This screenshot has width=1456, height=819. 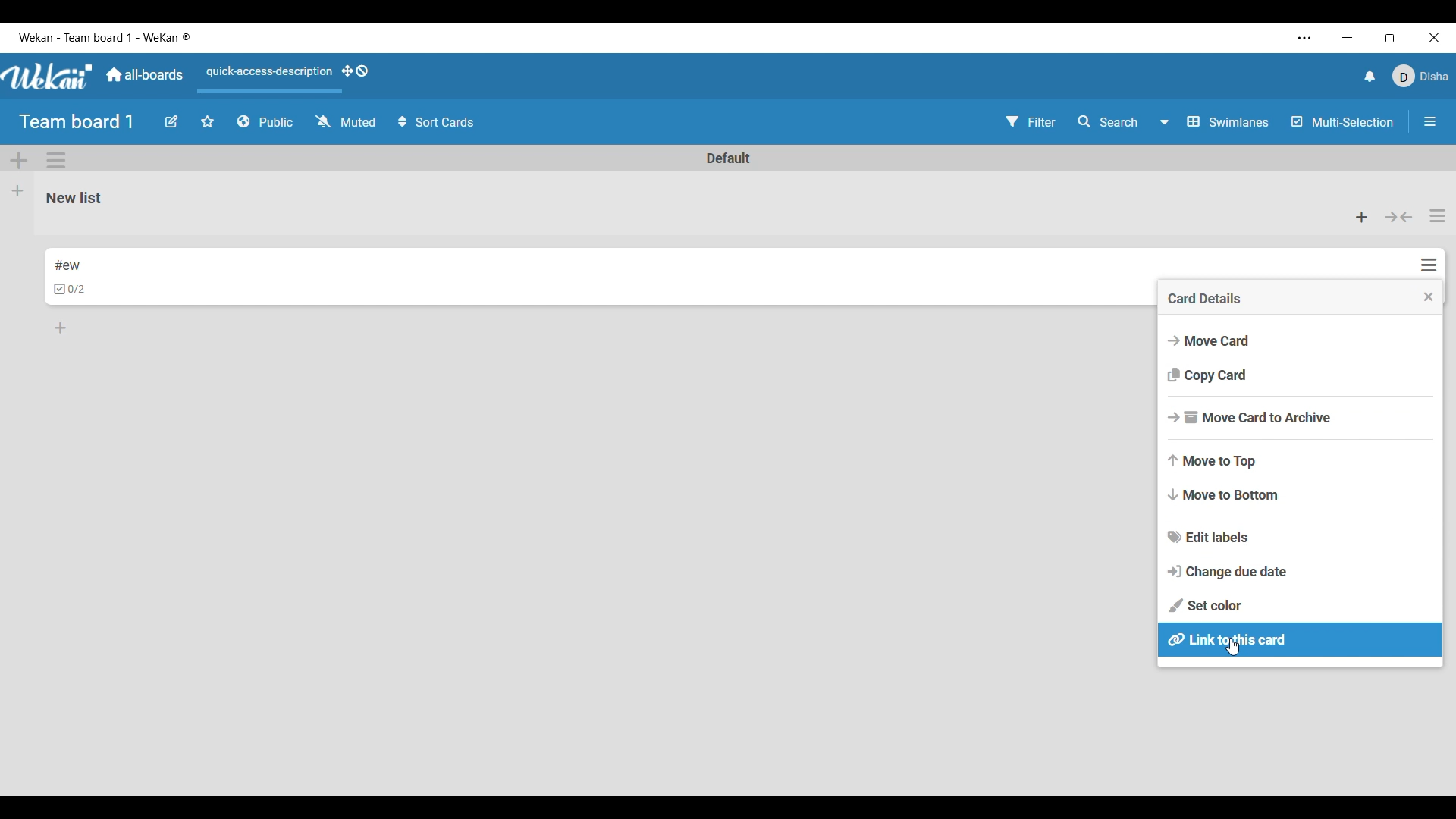 I want to click on Card name, so click(x=67, y=265).